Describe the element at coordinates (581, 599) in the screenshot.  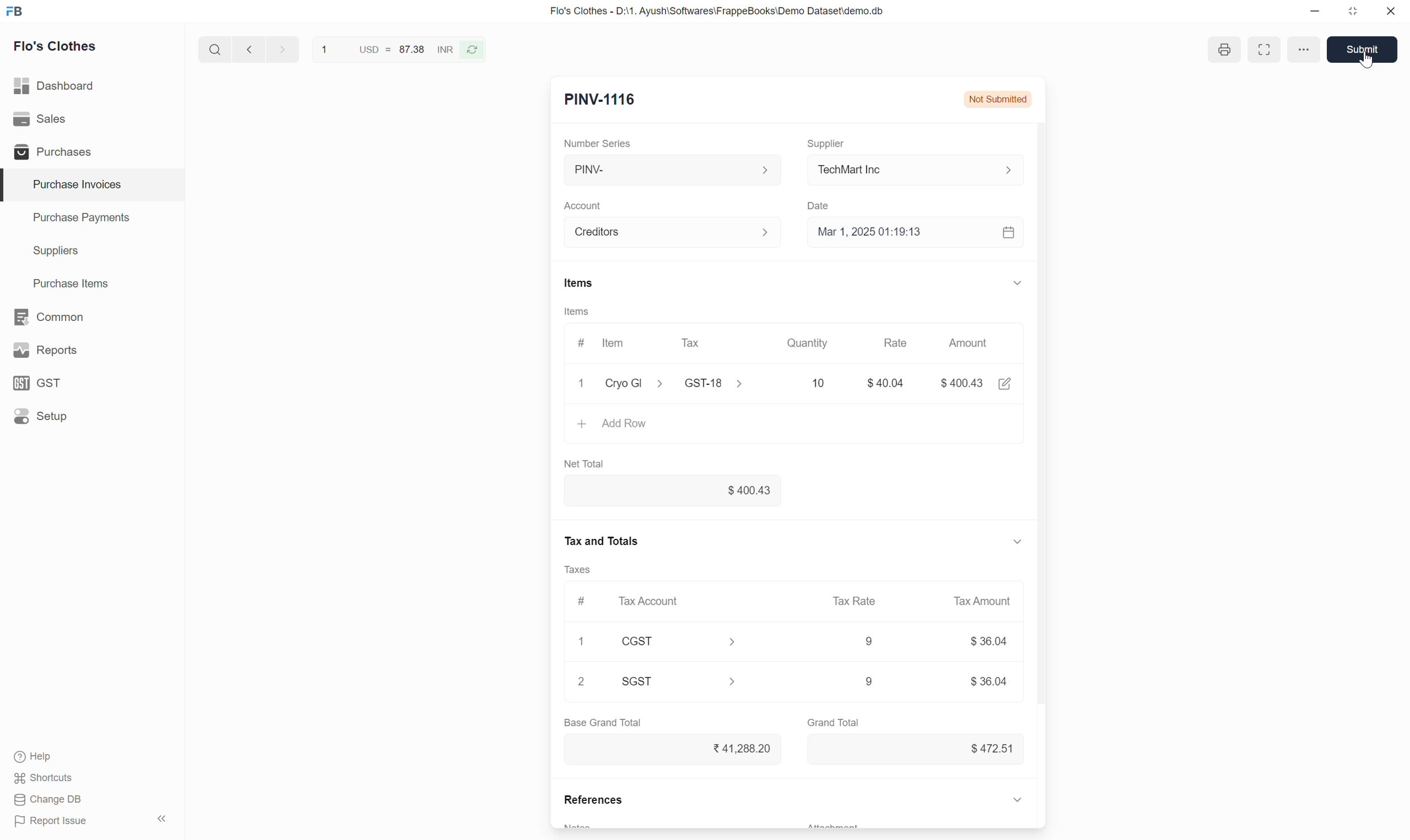
I see `#` at that location.